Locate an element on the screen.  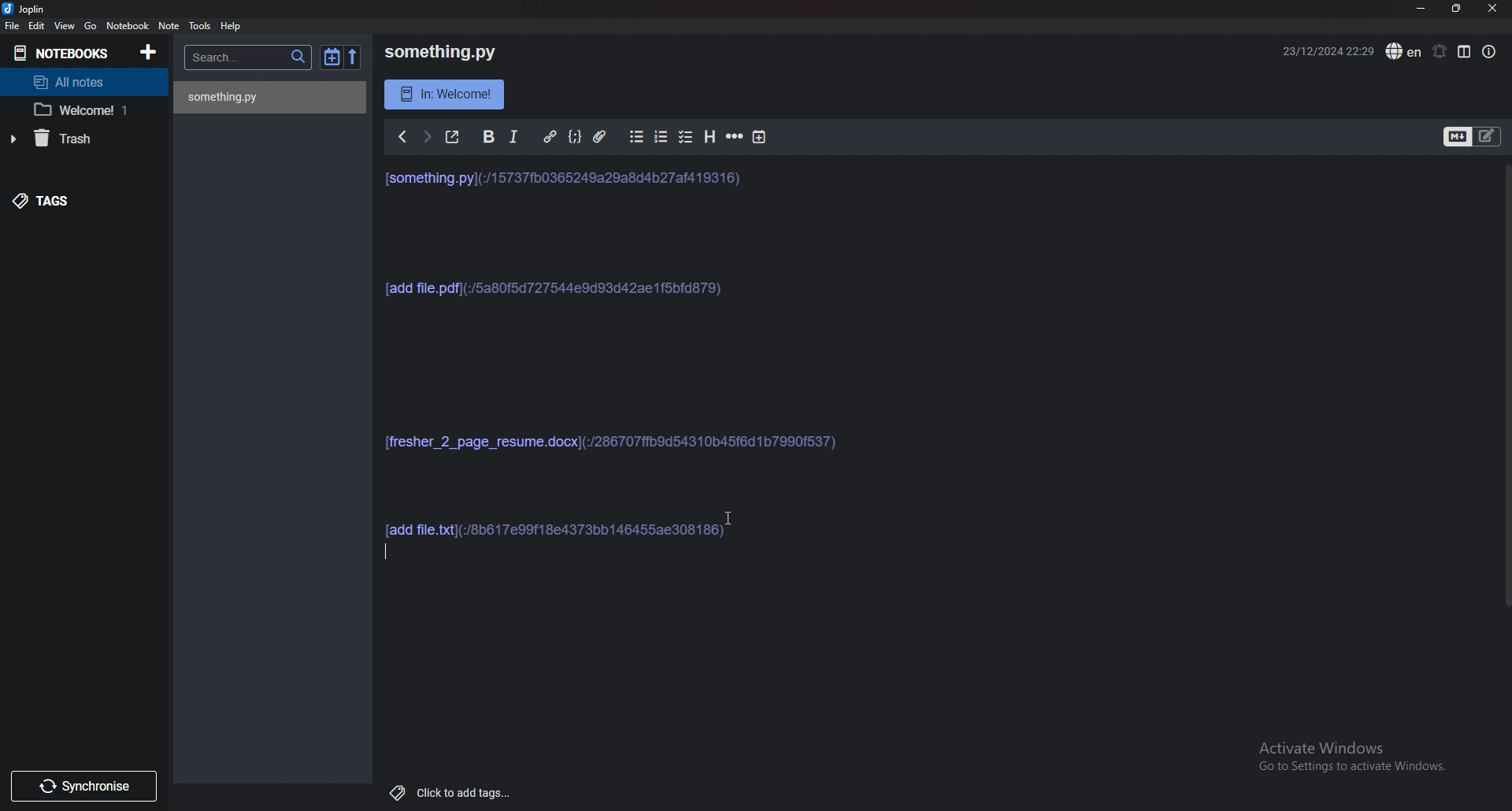
Bold is located at coordinates (491, 135).